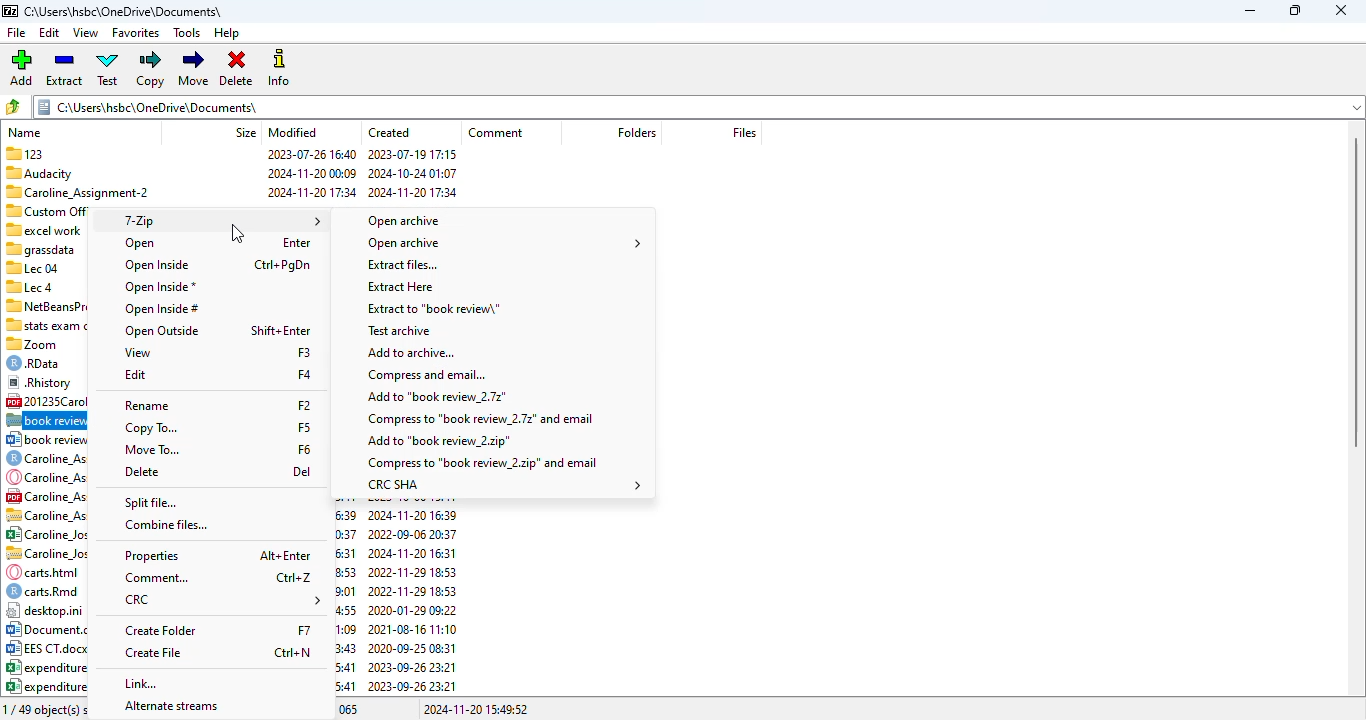  What do you see at coordinates (389, 132) in the screenshot?
I see `created` at bounding box center [389, 132].